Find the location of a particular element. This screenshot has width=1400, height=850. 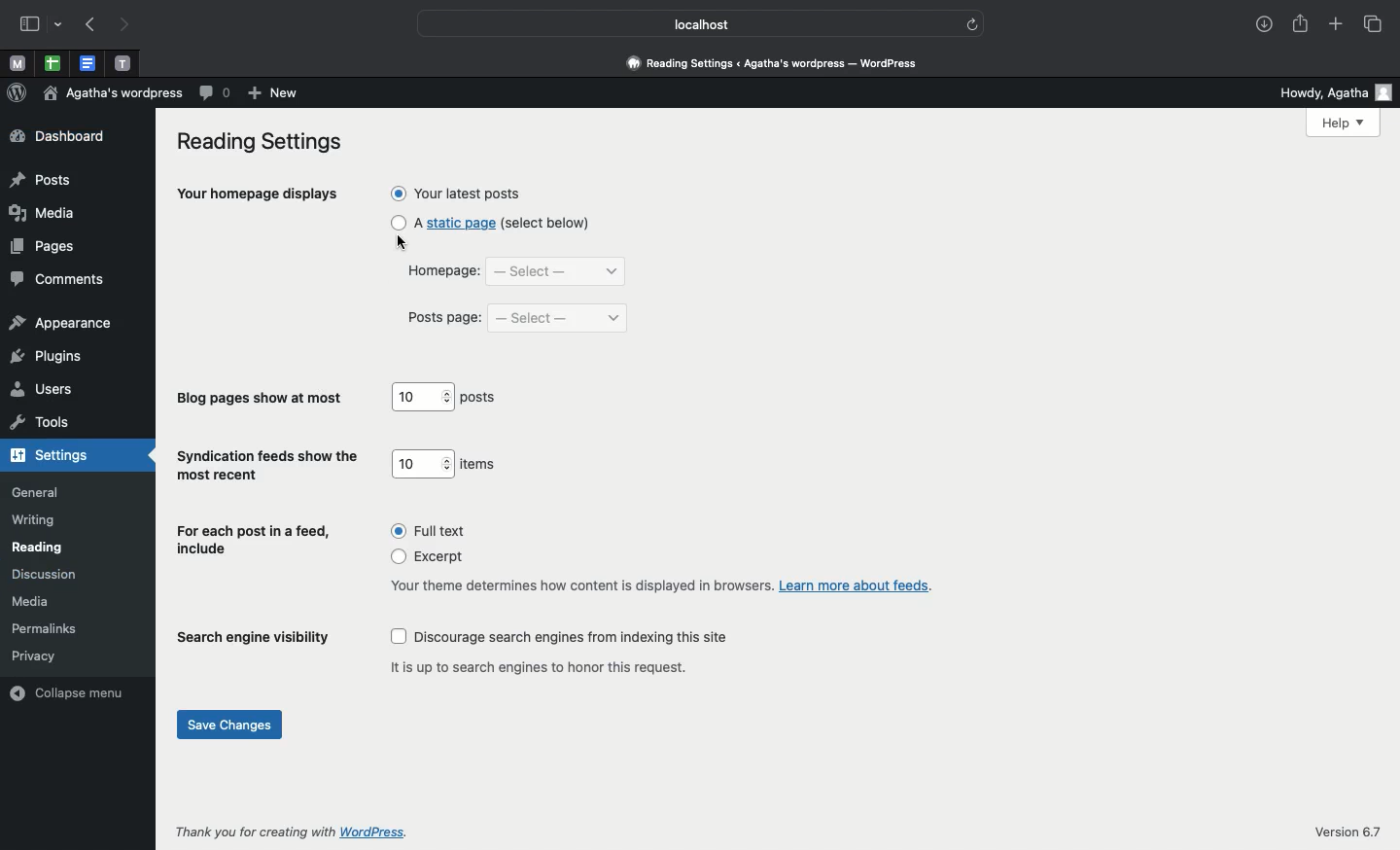

Localhost is located at coordinates (690, 24).